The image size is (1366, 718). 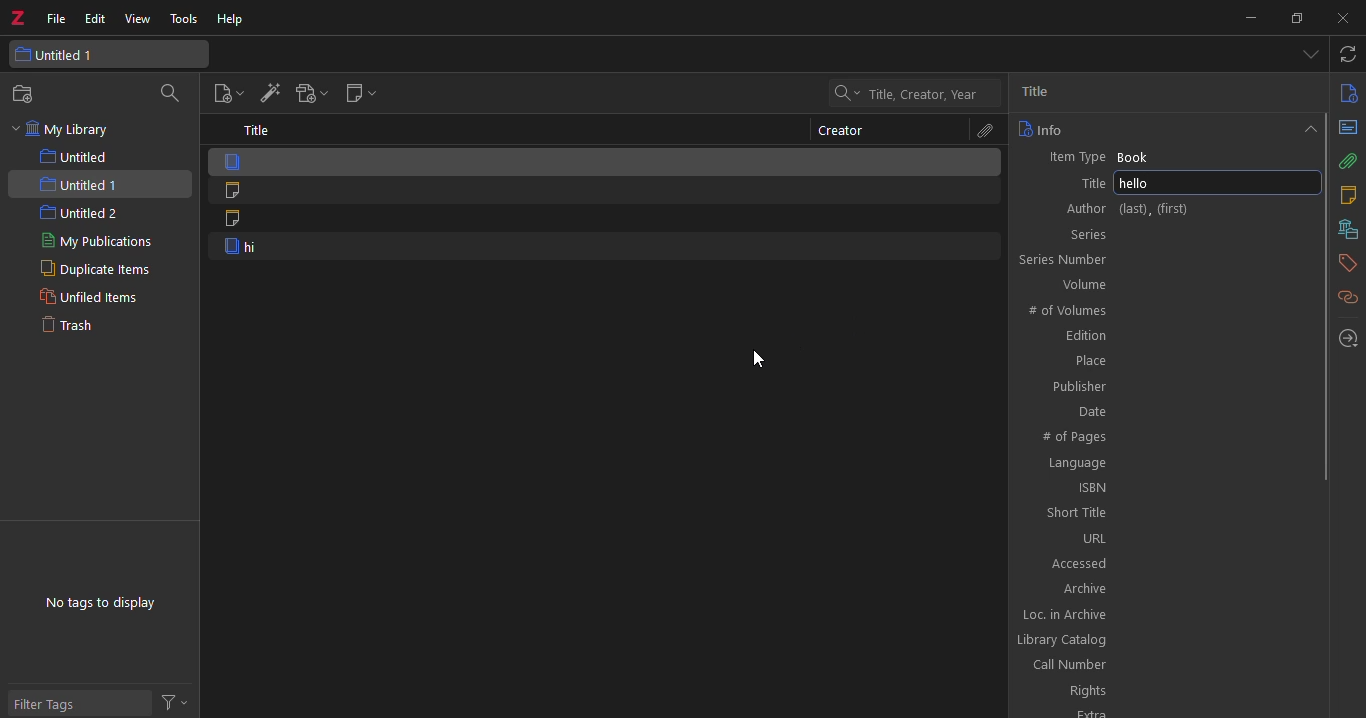 I want to click on maximize, so click(x=1295, y=19).